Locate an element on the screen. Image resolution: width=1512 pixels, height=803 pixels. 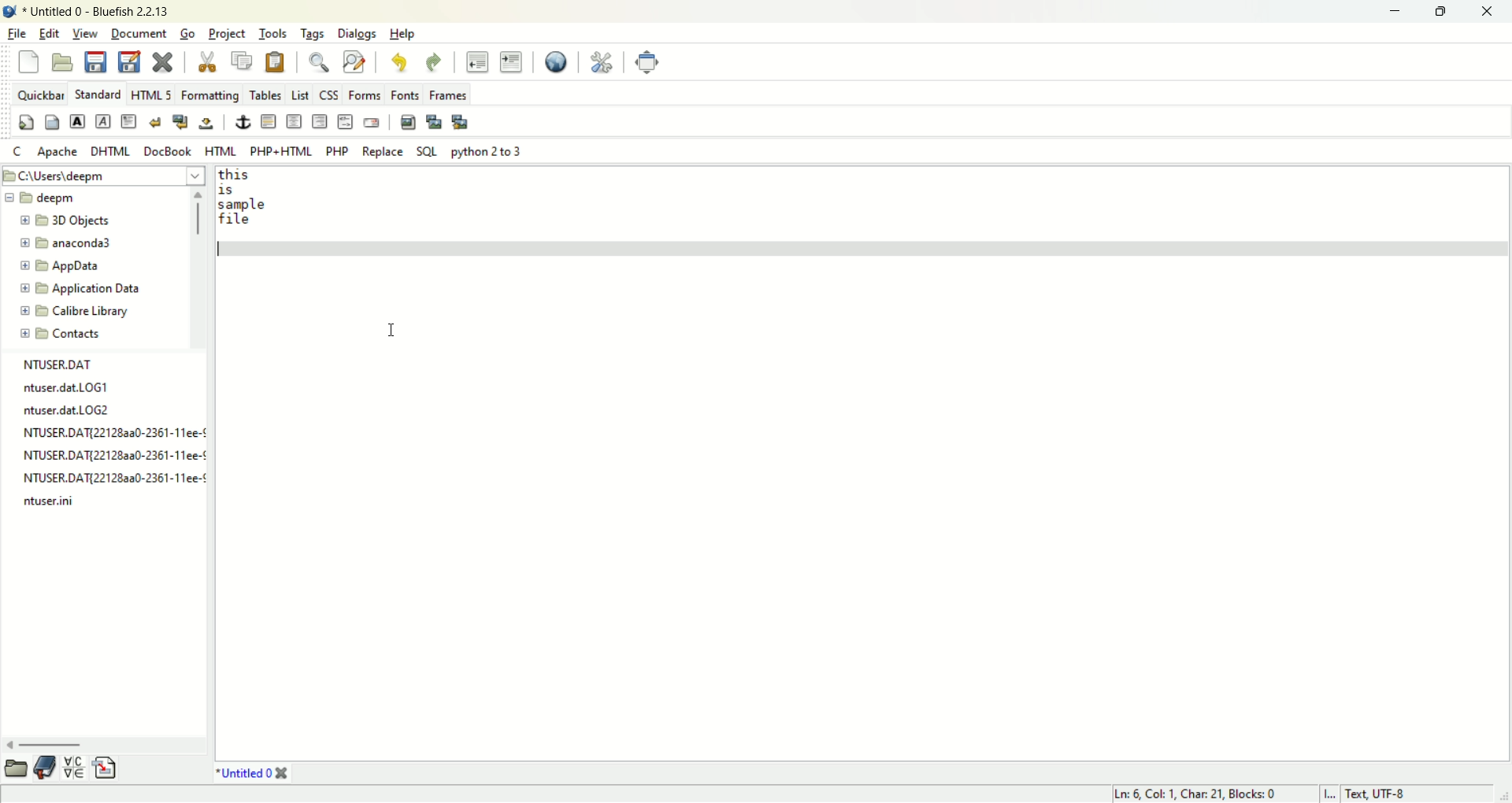
email is located at coordinates (374, 122).